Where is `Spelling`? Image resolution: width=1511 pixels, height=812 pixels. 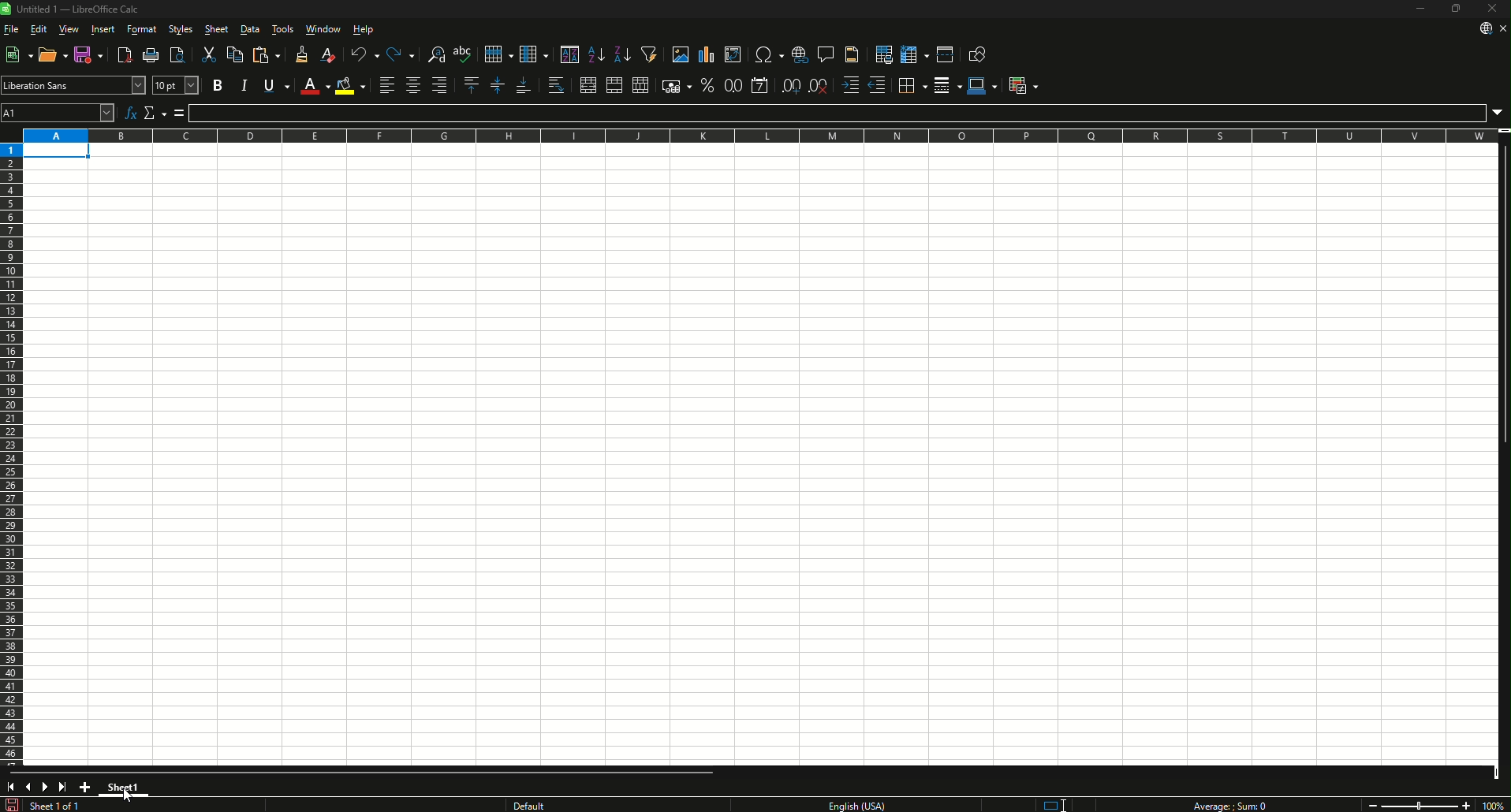 Spelling is located at coordinates (464, 54).